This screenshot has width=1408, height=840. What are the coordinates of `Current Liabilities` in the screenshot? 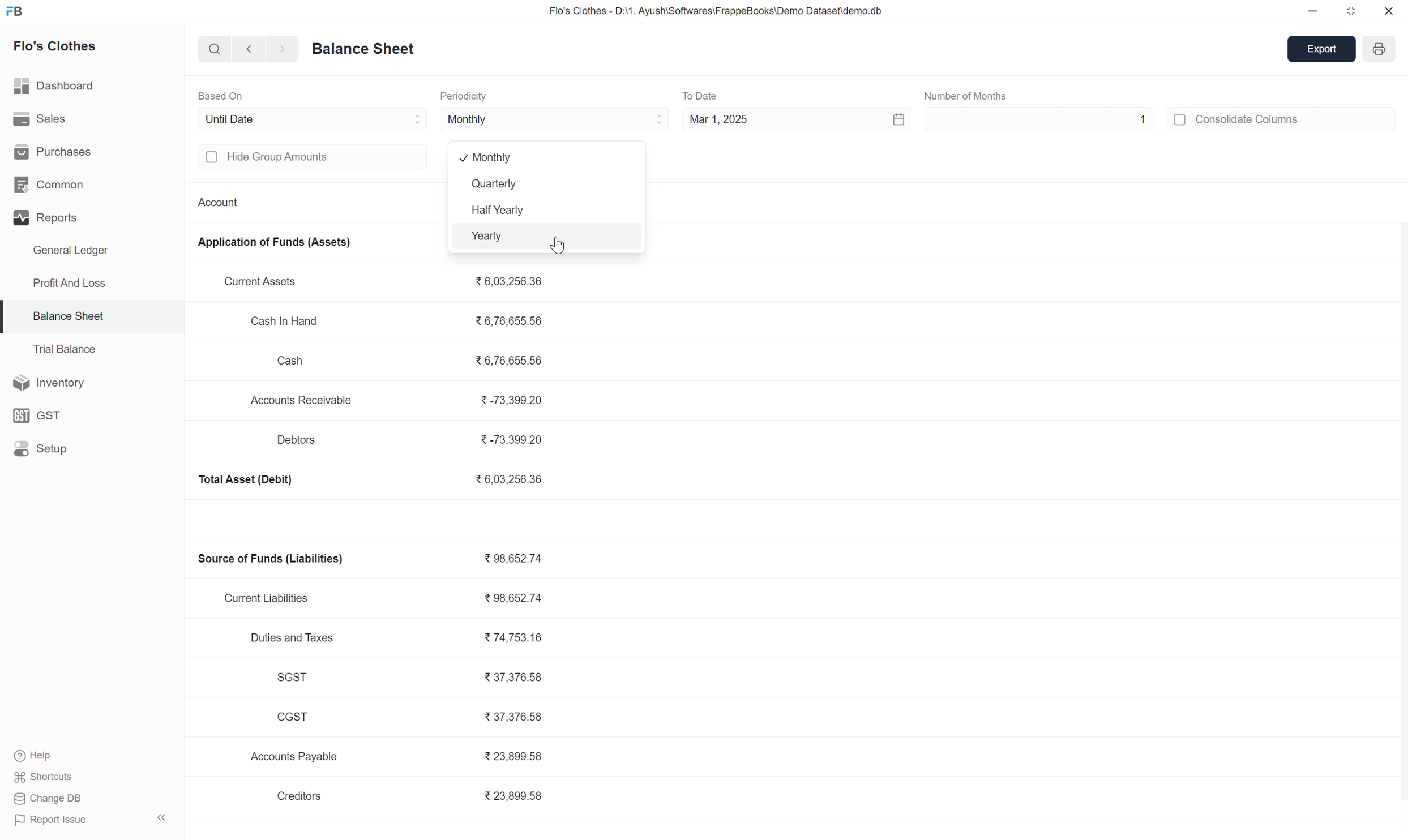 It's located at (271, 600).